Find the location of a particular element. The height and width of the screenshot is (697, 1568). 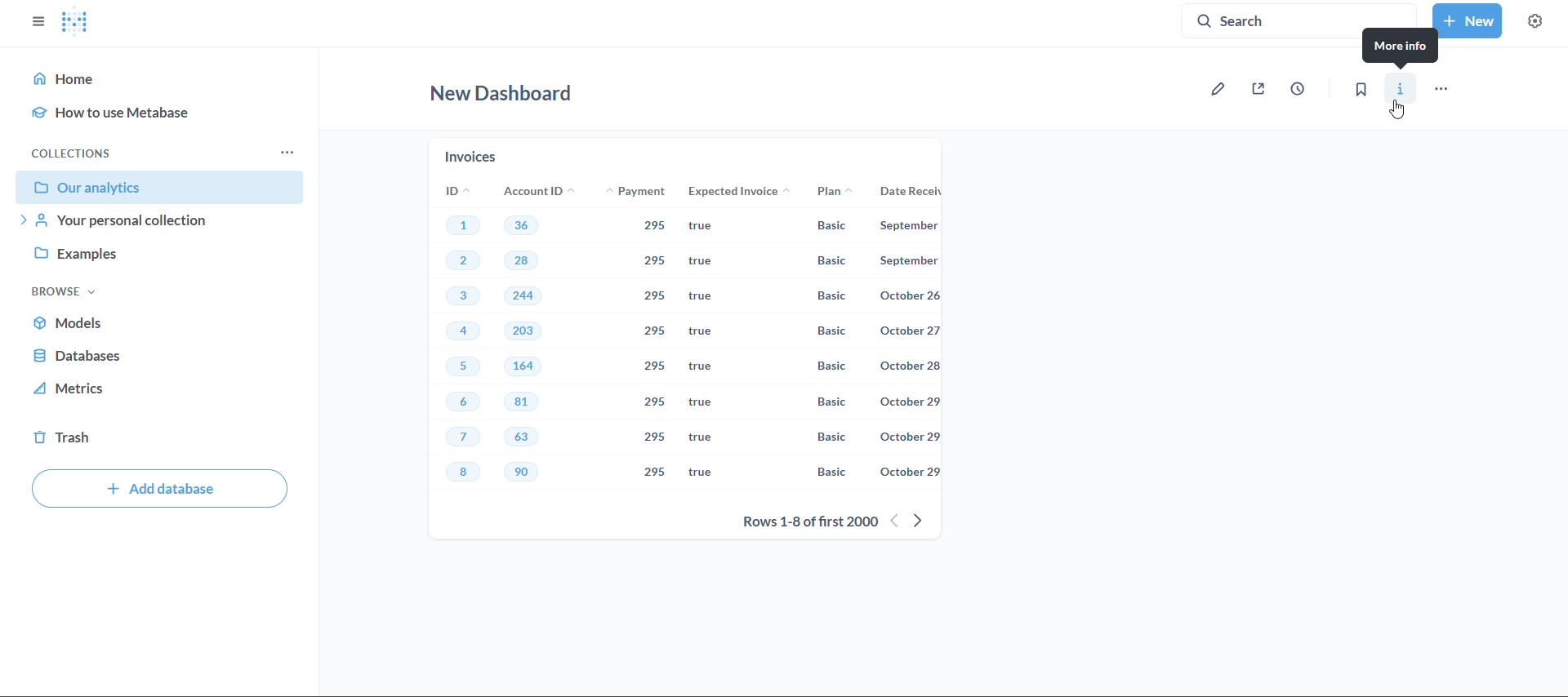

true is located at coordinates (698, 471).